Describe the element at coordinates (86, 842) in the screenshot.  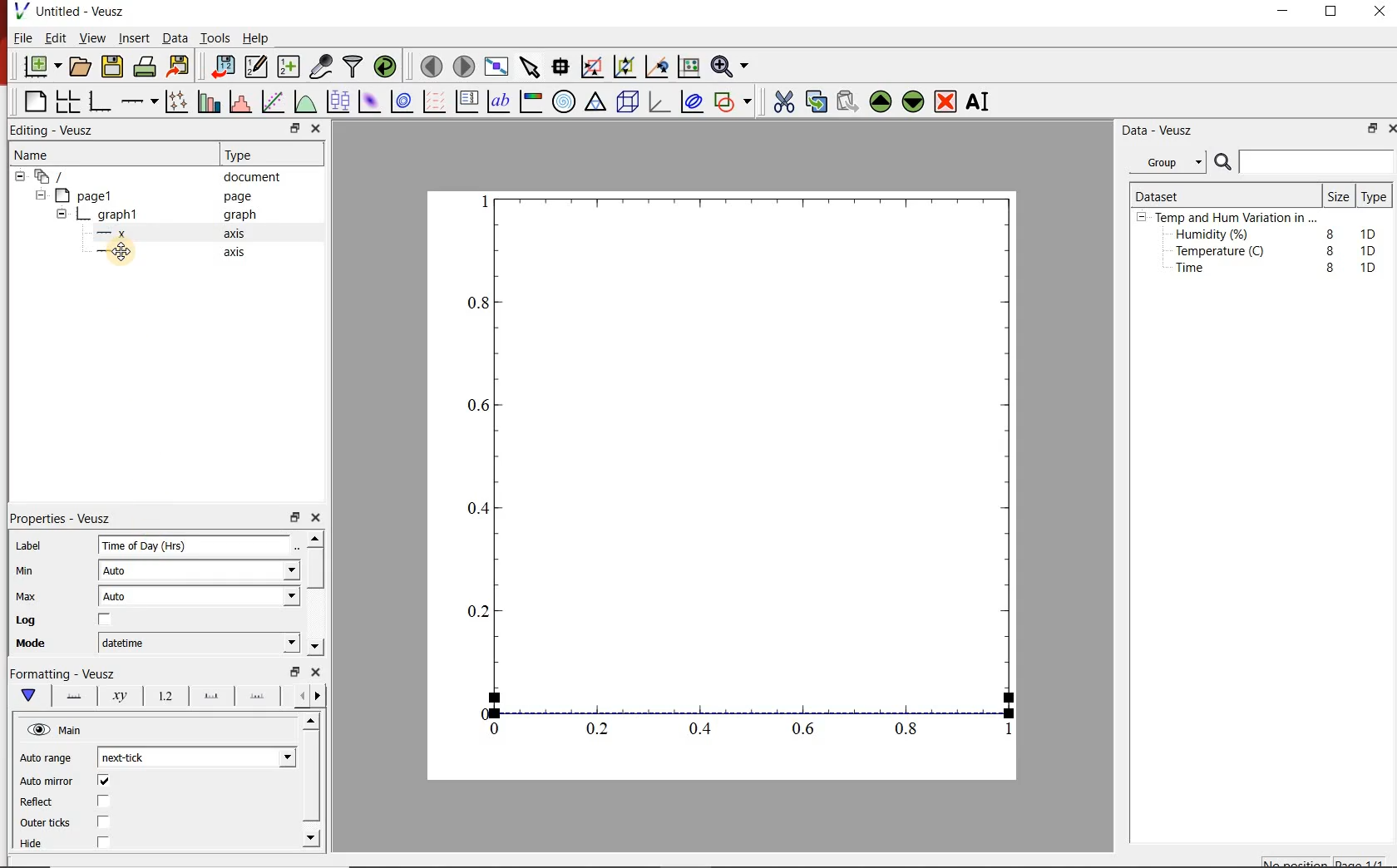
I see `Hide` at that location.